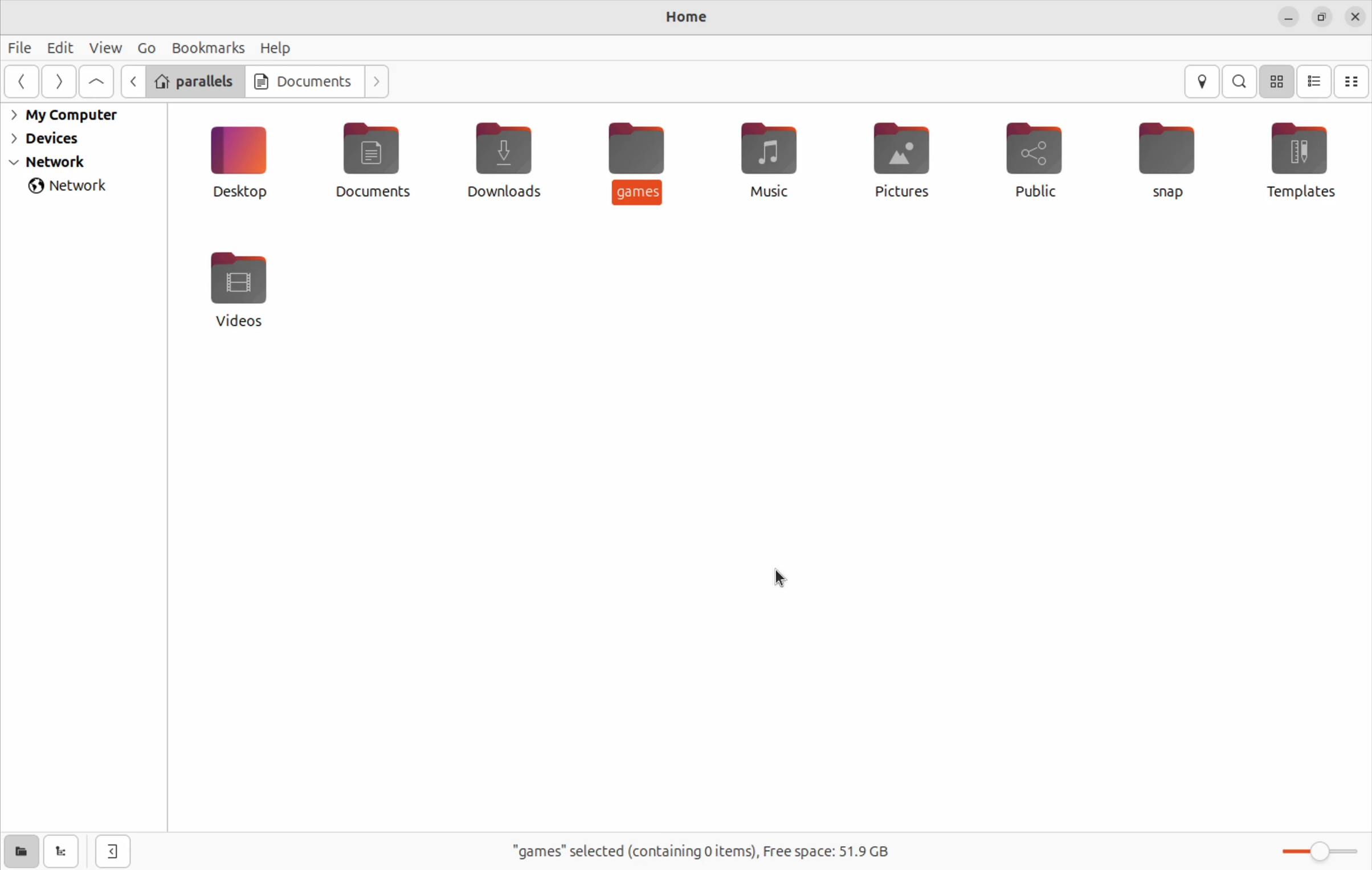 This screenshot has width=1372, height=870. Describe the element at coordinates (378, 80) in the screenshot. I see `Go next` at that location.